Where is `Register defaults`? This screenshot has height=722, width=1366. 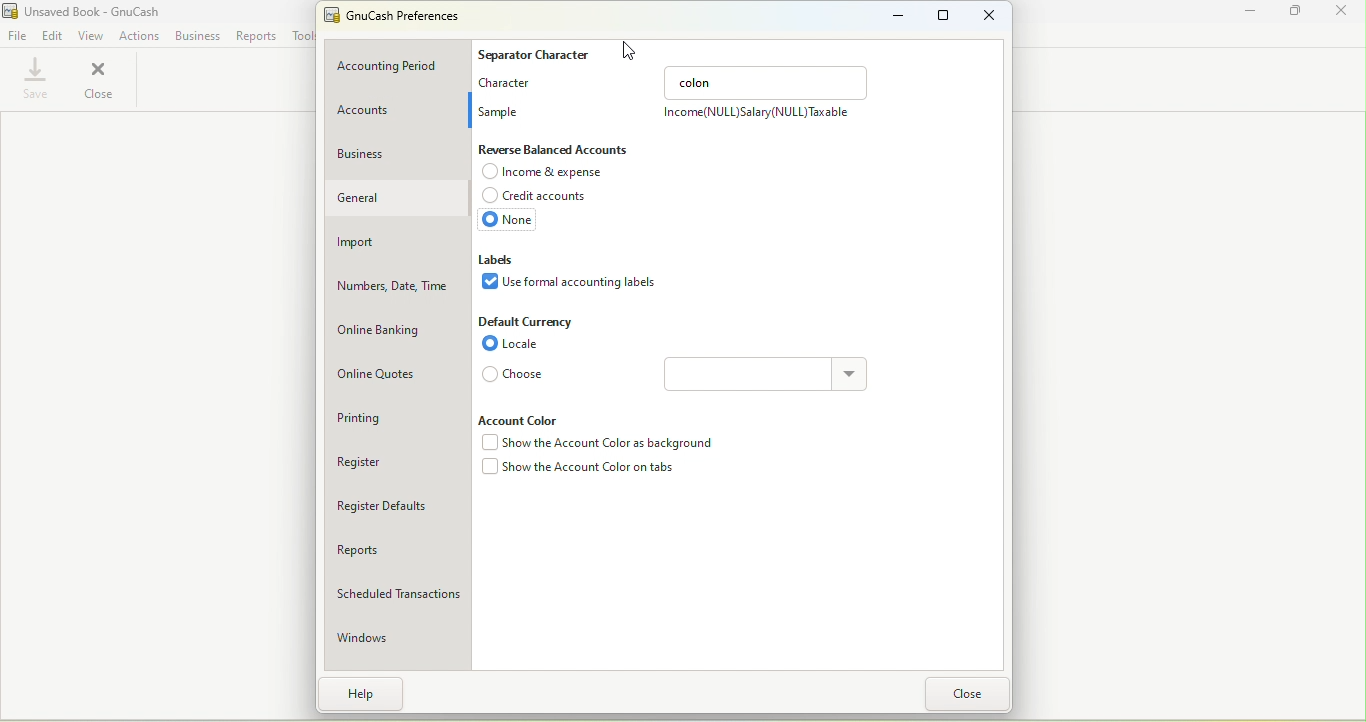
Register defaults is located at coordinates (396, 504).